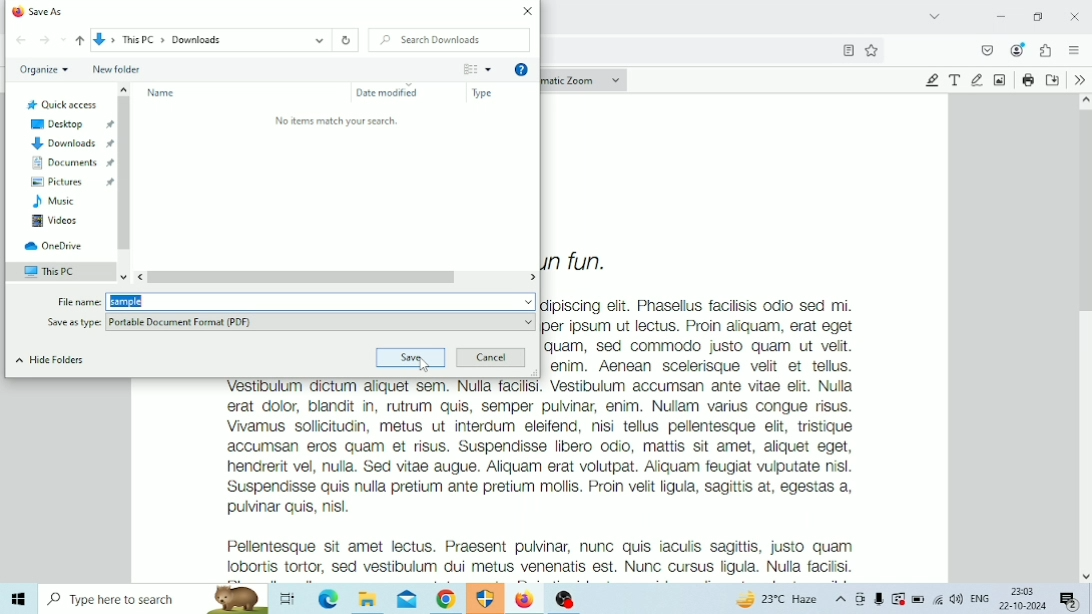 Image resolution: width=1092 pixels, height=614 pixels. I want to click on Close, so click(1076, 17).